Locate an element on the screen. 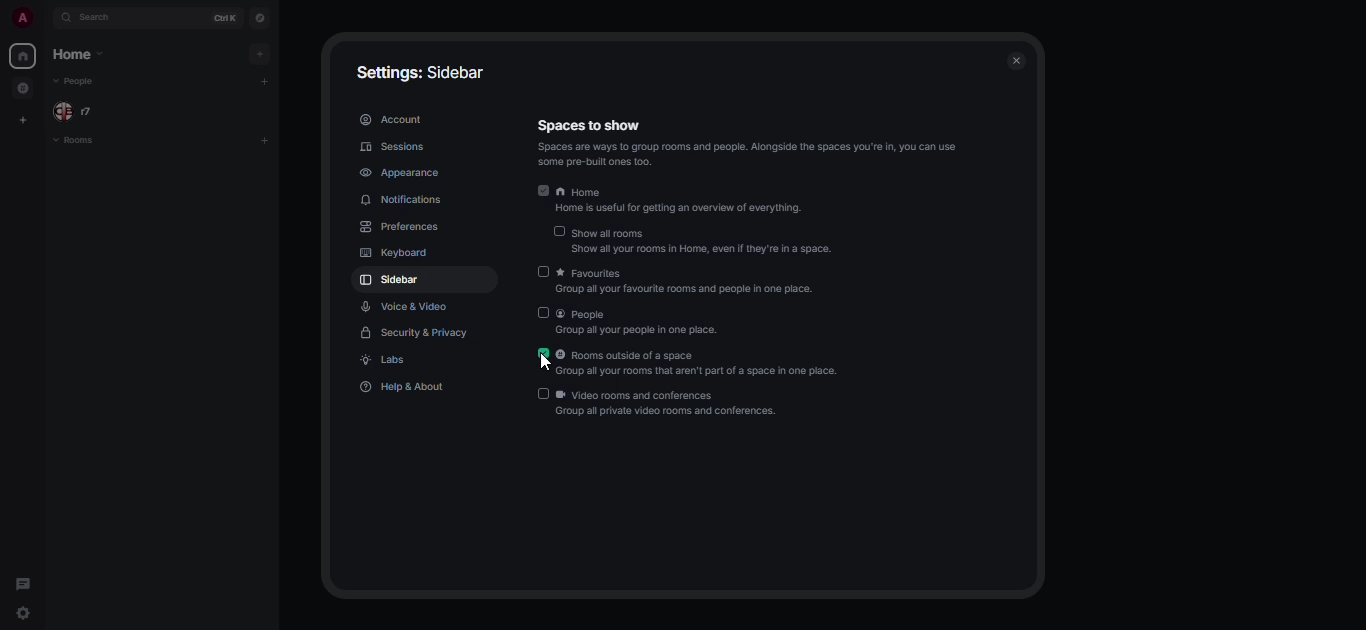 This screenshot has height=630, width=1366. home is located at coordinates (682, 192).